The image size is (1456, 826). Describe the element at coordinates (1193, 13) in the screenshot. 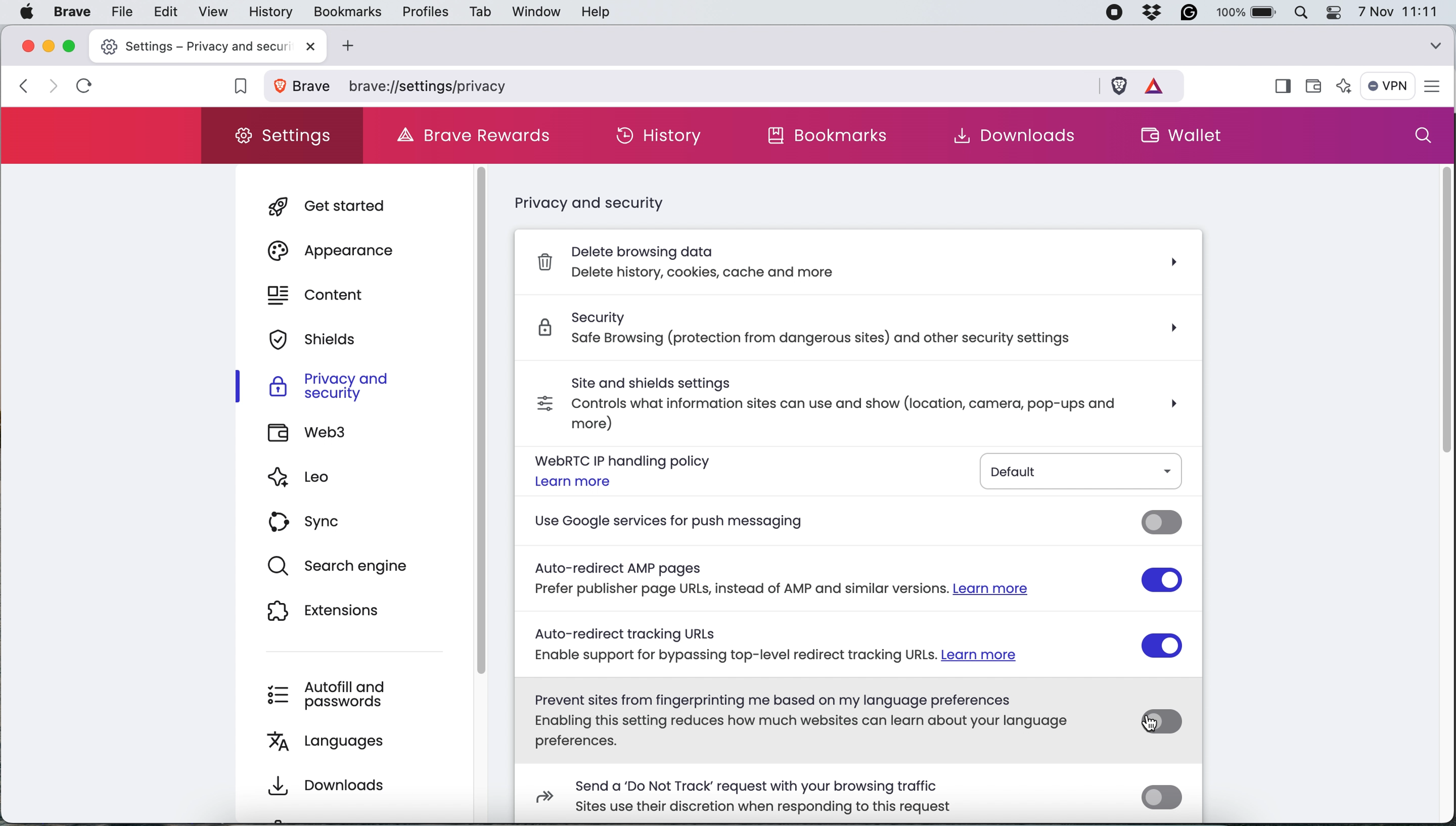

I see `grammarly` at that location.